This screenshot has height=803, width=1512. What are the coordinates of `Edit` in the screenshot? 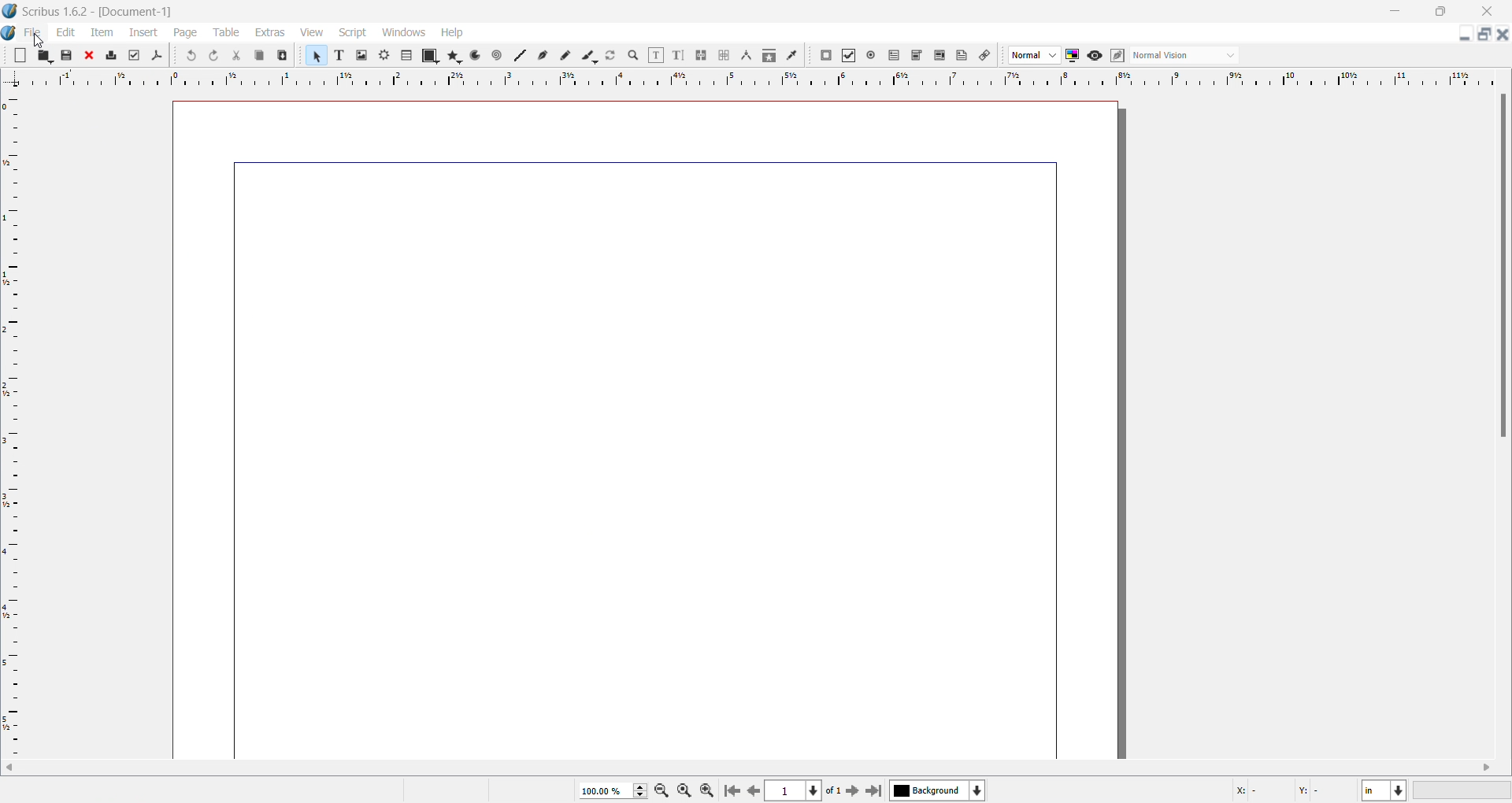 It's located at (67, 31).